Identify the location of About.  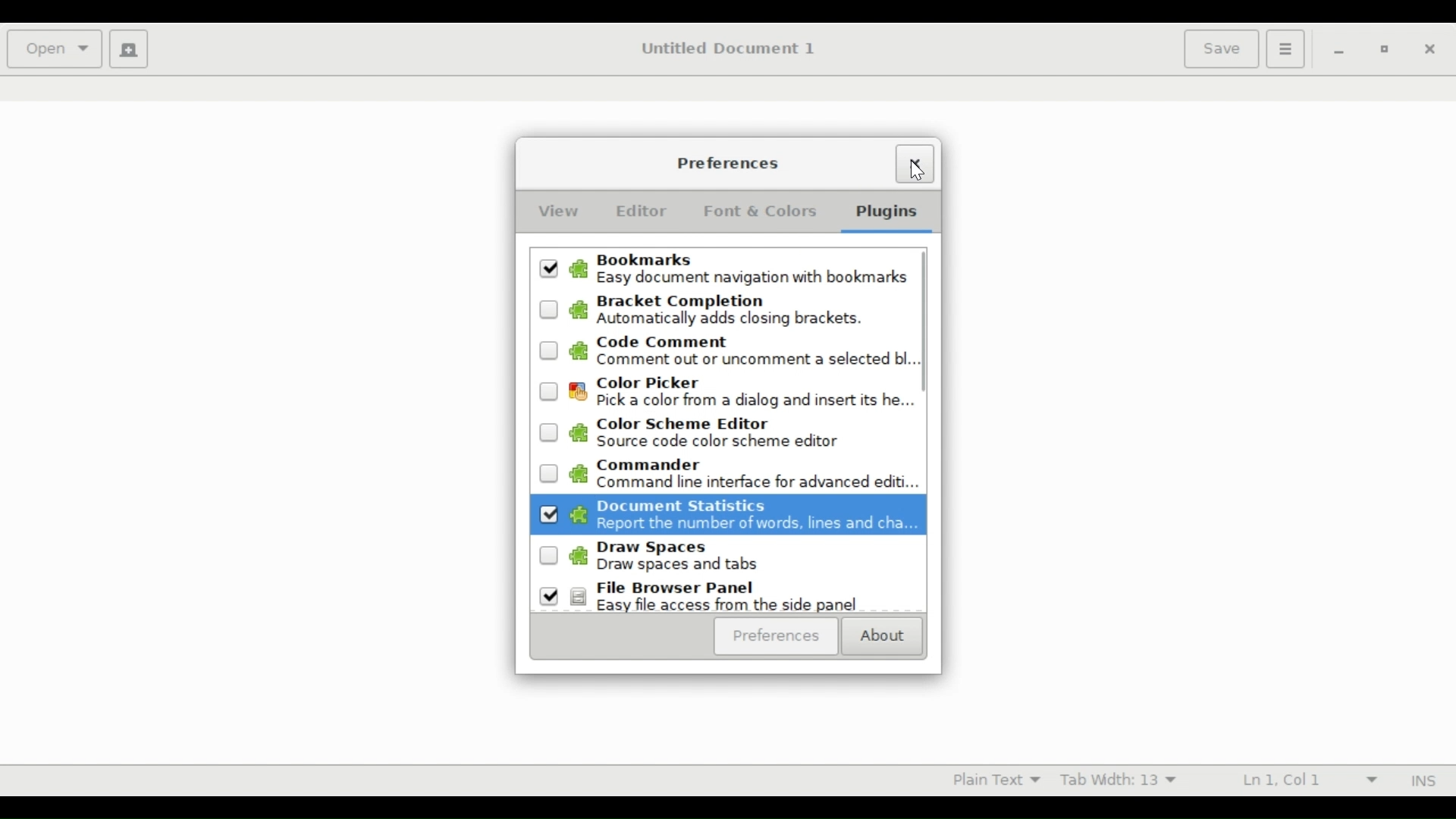
(885, 639).